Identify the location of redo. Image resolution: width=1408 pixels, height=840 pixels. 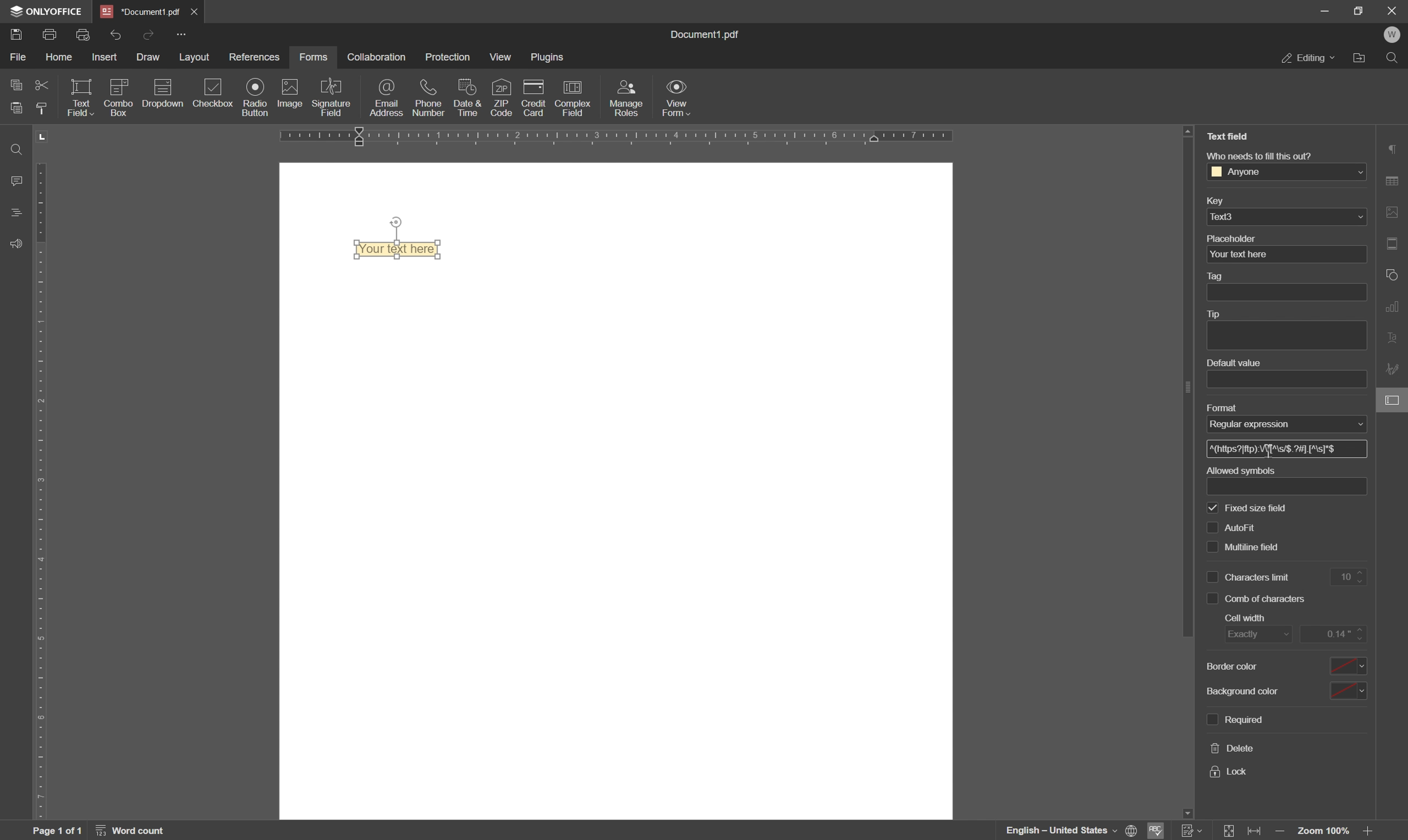
(149, 33).